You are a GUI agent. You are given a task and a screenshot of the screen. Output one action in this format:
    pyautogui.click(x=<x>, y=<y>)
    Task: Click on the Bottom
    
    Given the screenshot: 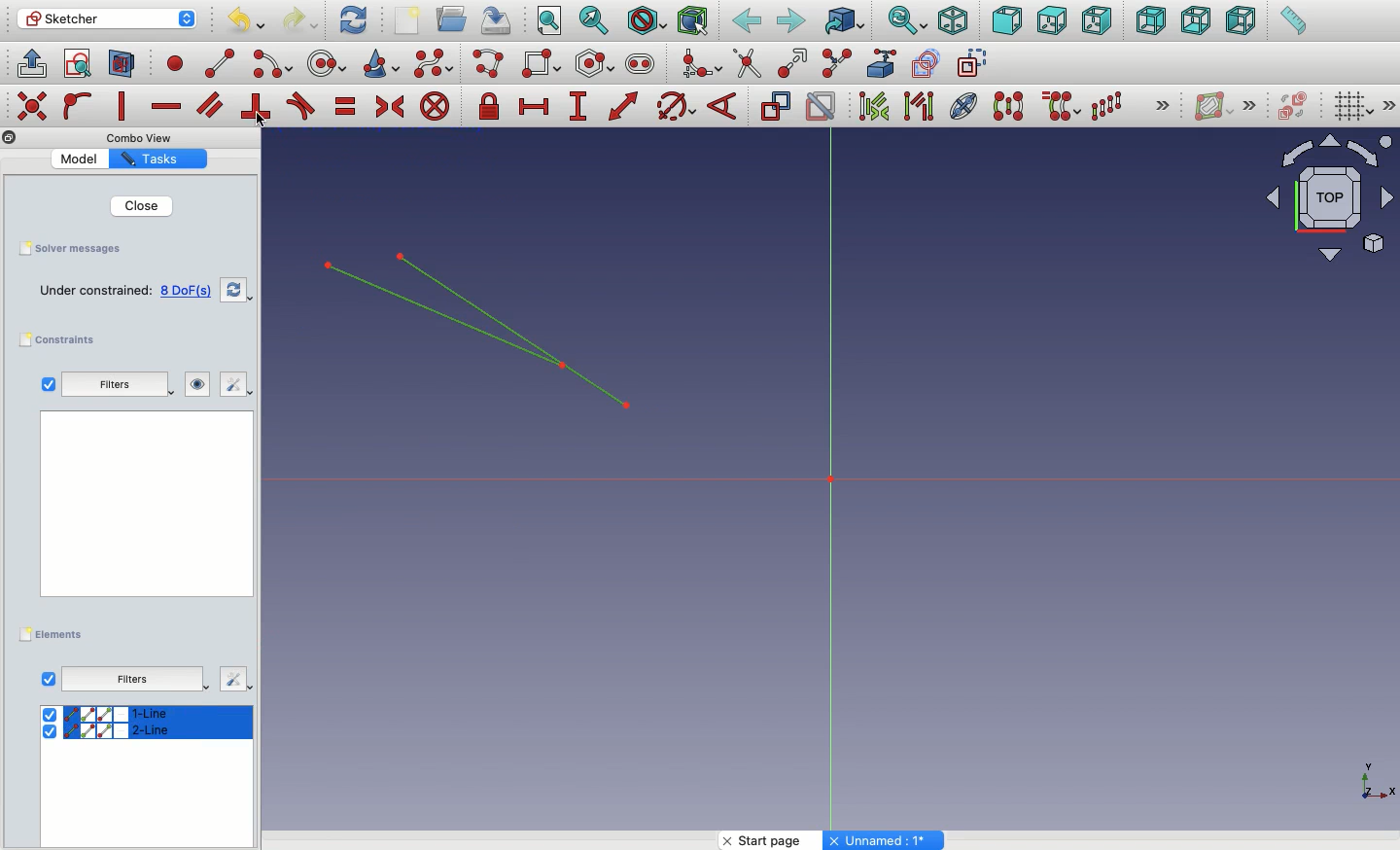 What is the action you would take?
    pyautogui.click(x=1196, y=22)
    